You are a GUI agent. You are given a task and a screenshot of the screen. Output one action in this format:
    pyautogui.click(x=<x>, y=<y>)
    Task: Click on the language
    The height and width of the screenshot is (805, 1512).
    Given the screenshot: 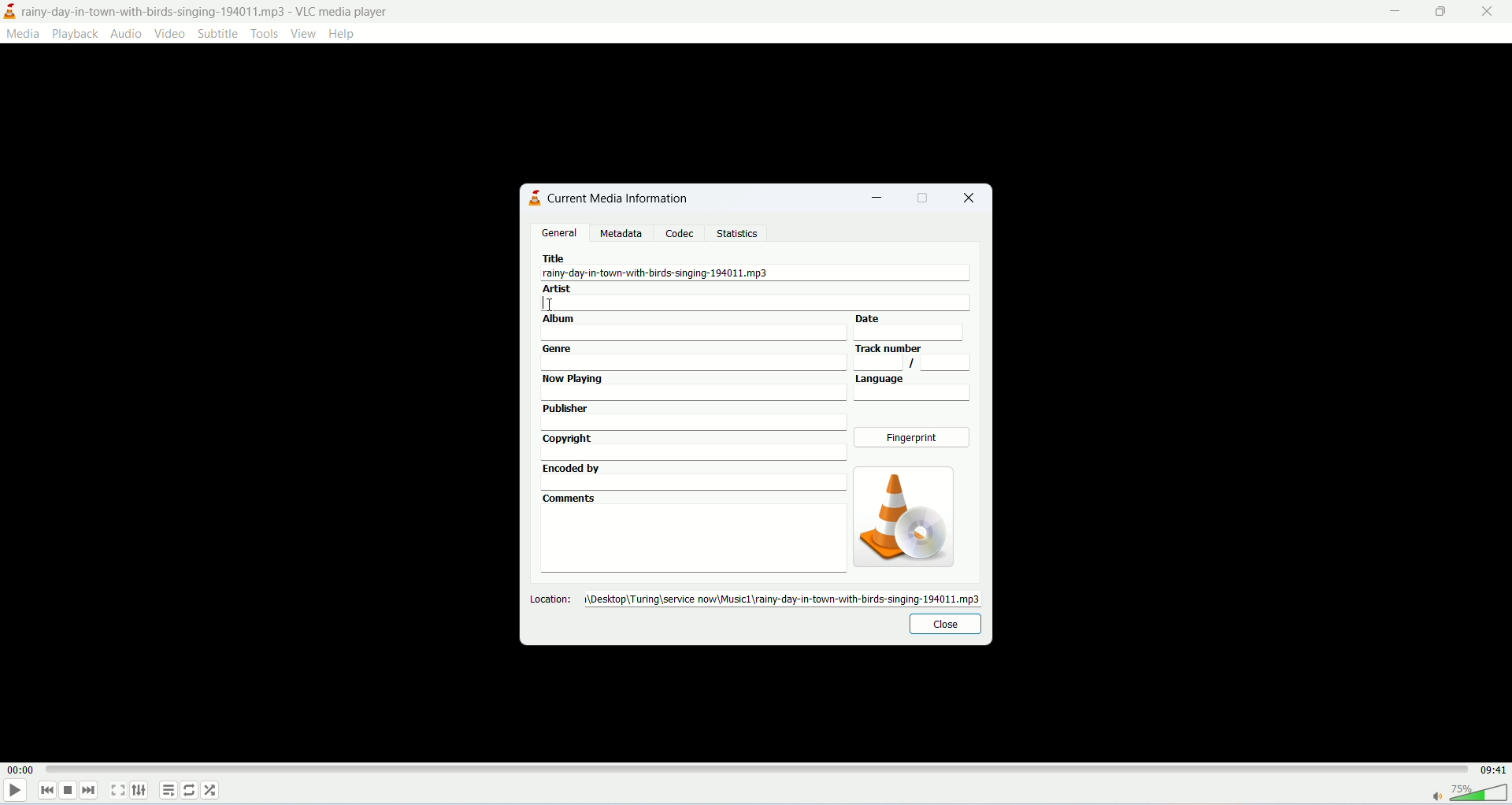 What is the action you would take?
    pyautogui.click(x=914, y=388)
    